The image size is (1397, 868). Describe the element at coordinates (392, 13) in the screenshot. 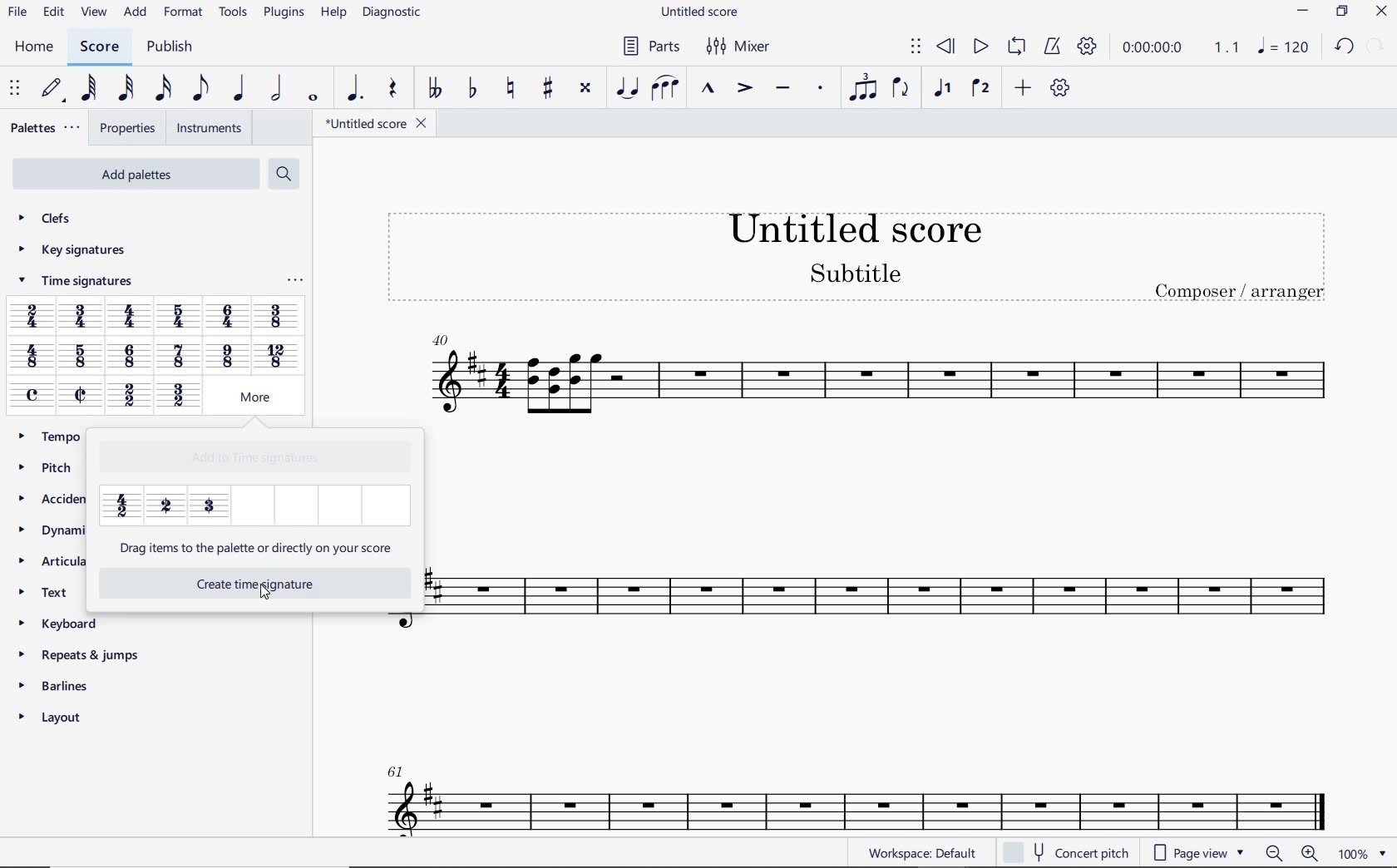

I see `DIAGNOSTIC` at that location.